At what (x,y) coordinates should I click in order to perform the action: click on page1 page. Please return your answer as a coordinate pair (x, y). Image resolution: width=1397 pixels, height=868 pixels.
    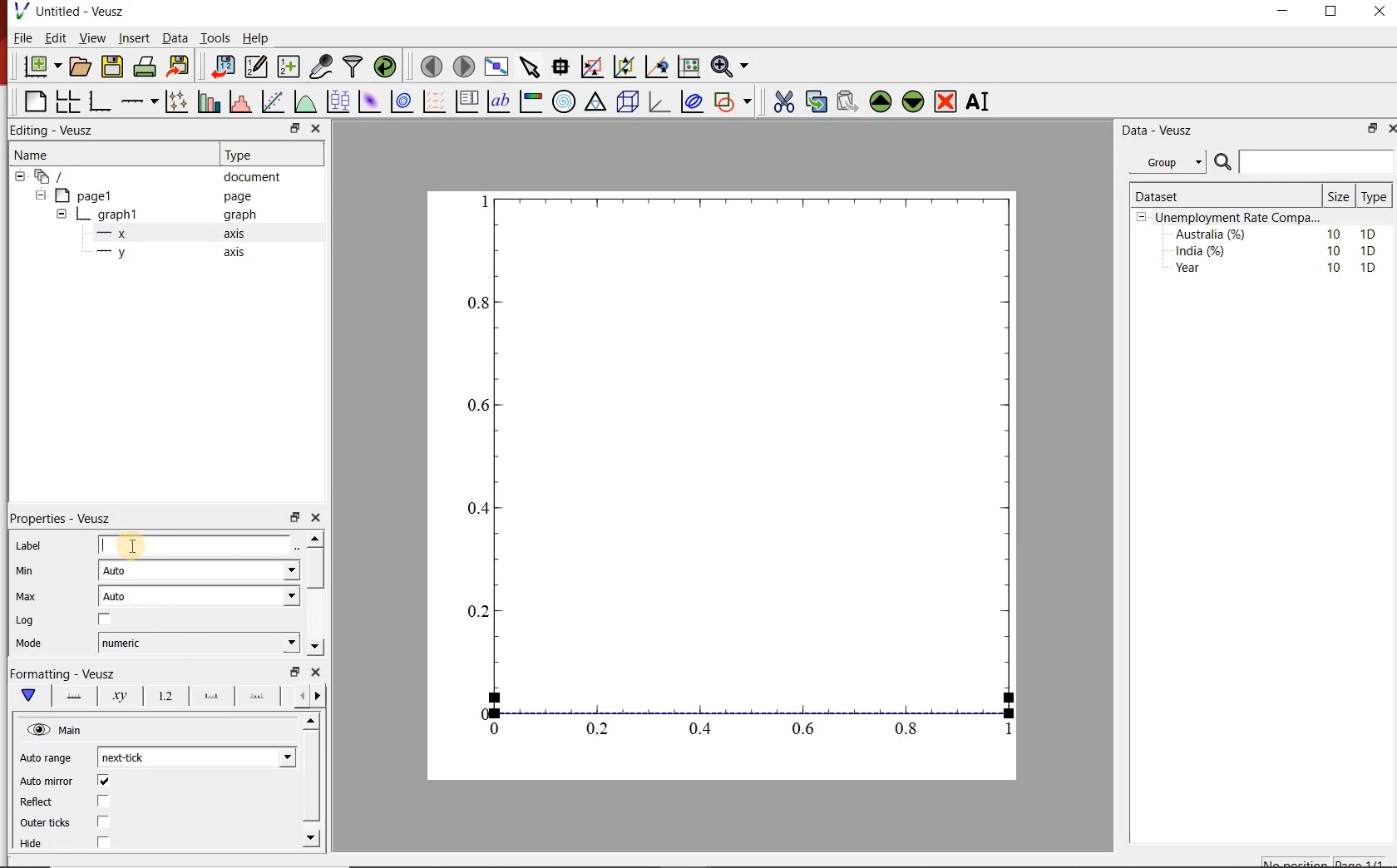
    Looking at the image, I should click on (160, 195).